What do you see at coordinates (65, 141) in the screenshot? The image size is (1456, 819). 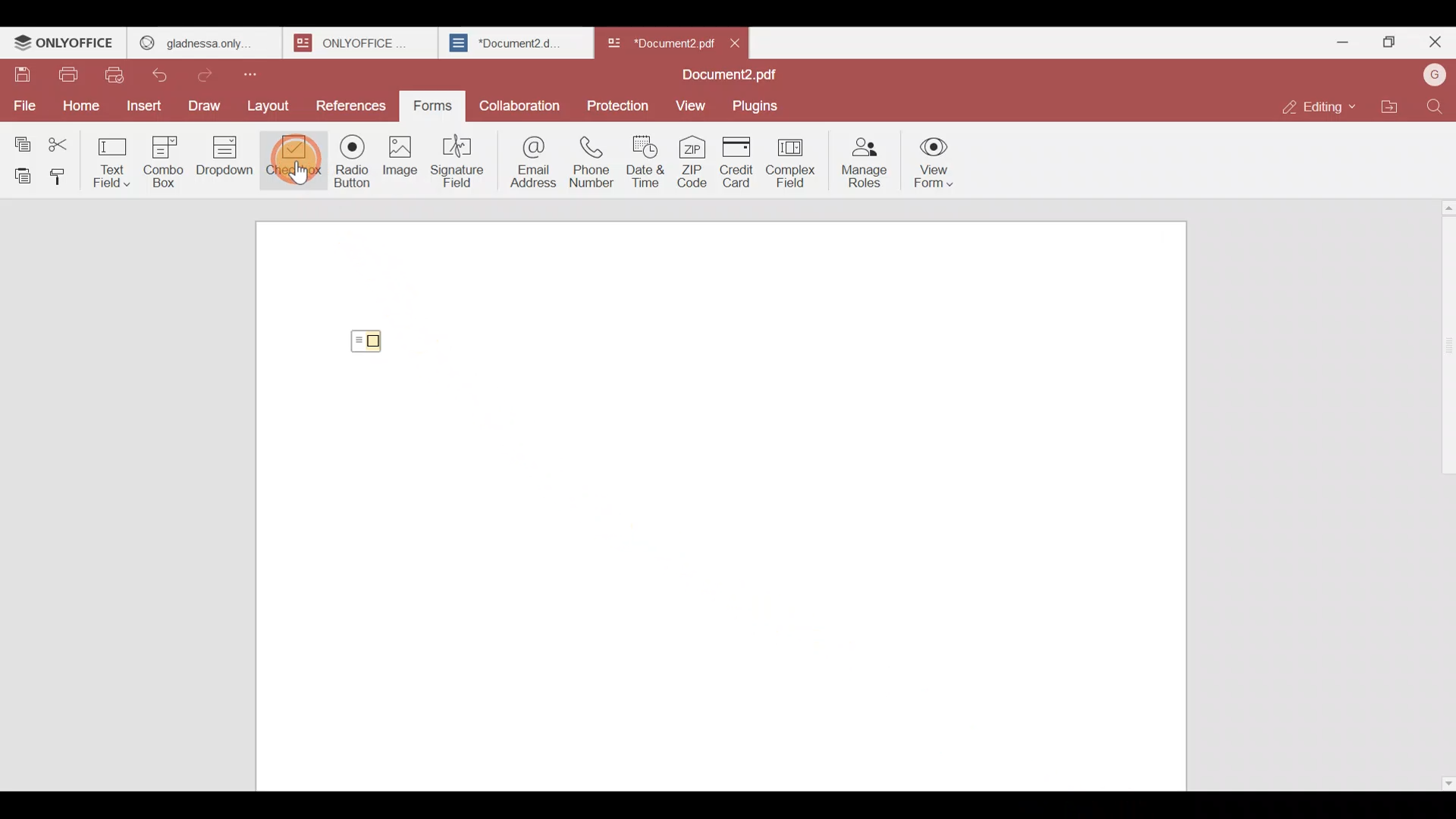 I see `Cut` at bounding box center [65, 141].